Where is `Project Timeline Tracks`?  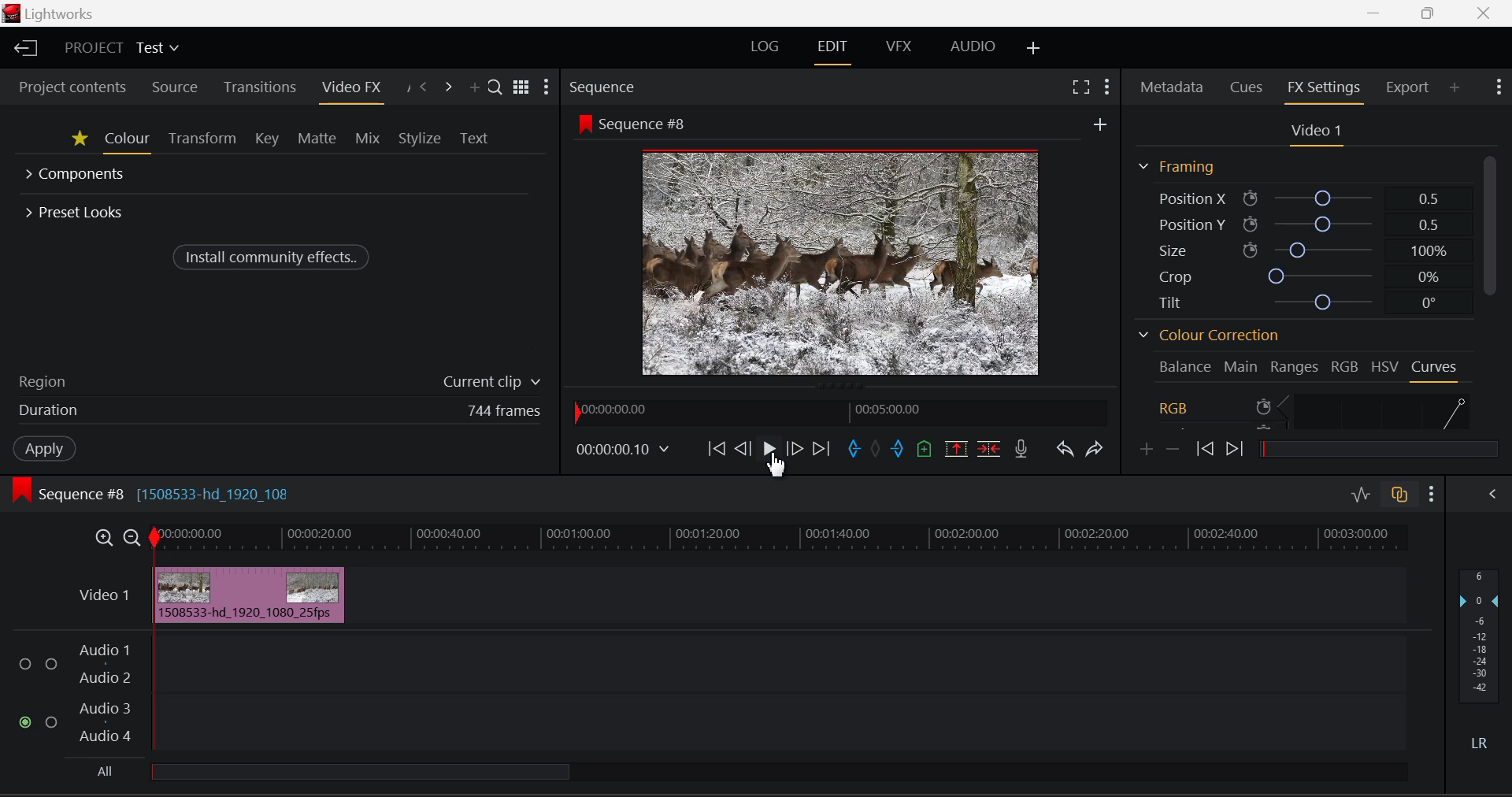
Project Timeline Tracks is located at coordinates (780, 539).